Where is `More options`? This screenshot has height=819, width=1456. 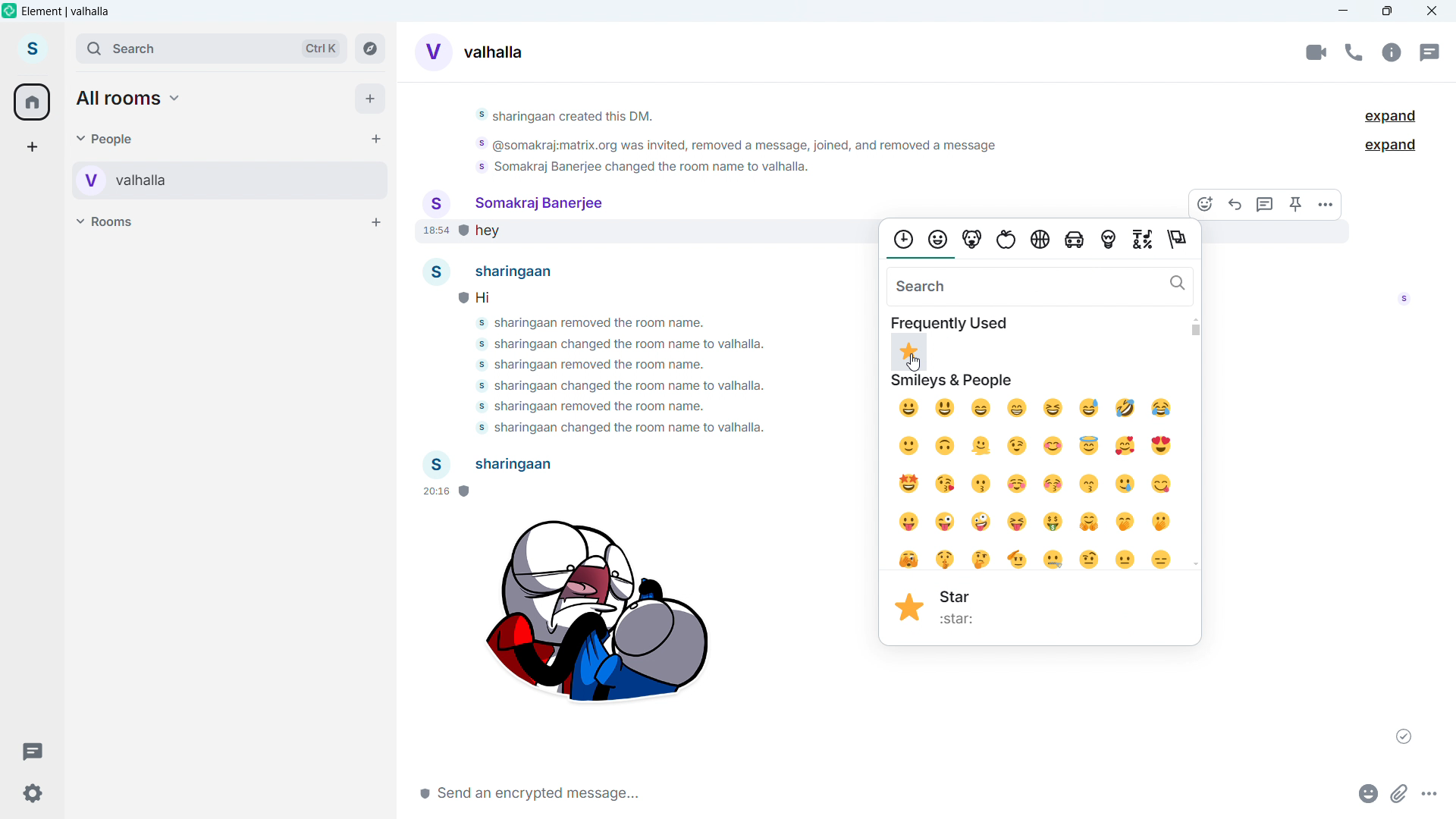 More options is located at coordinates (1432, 792).